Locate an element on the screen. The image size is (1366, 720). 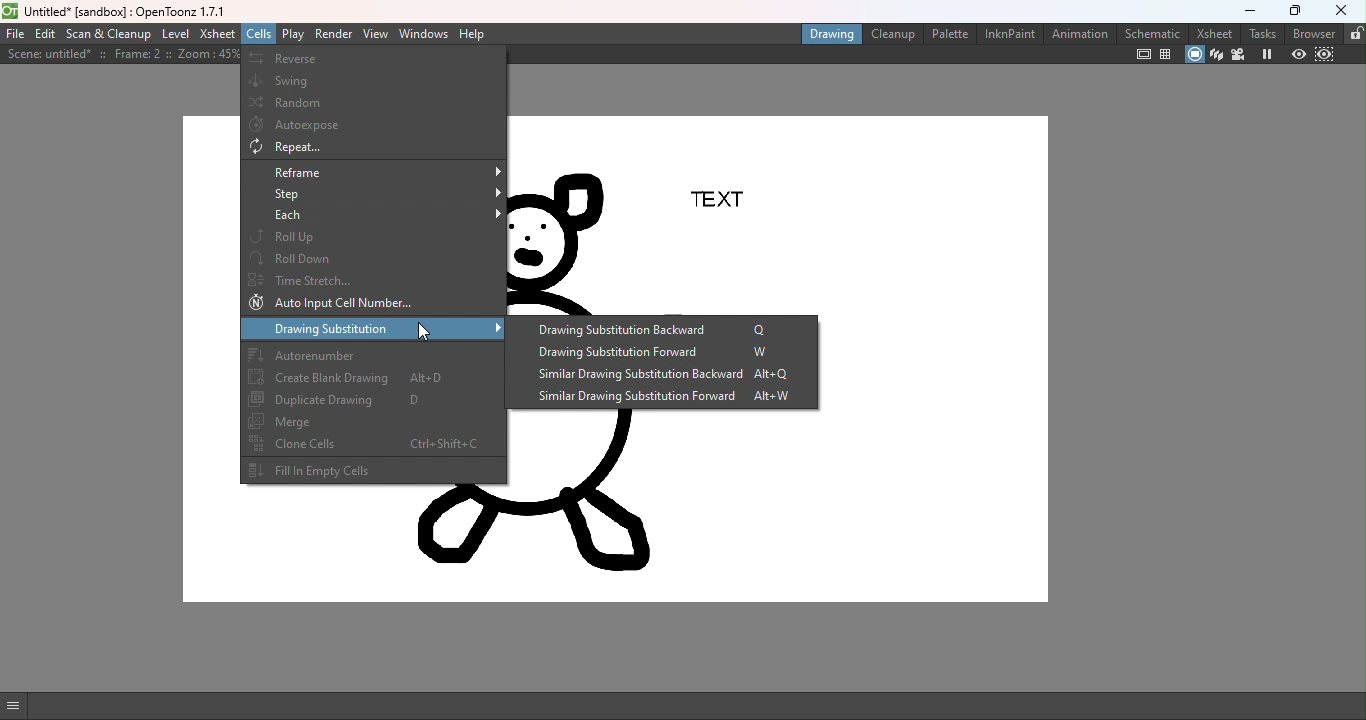
Roll up is located at coordinates (376, 238).